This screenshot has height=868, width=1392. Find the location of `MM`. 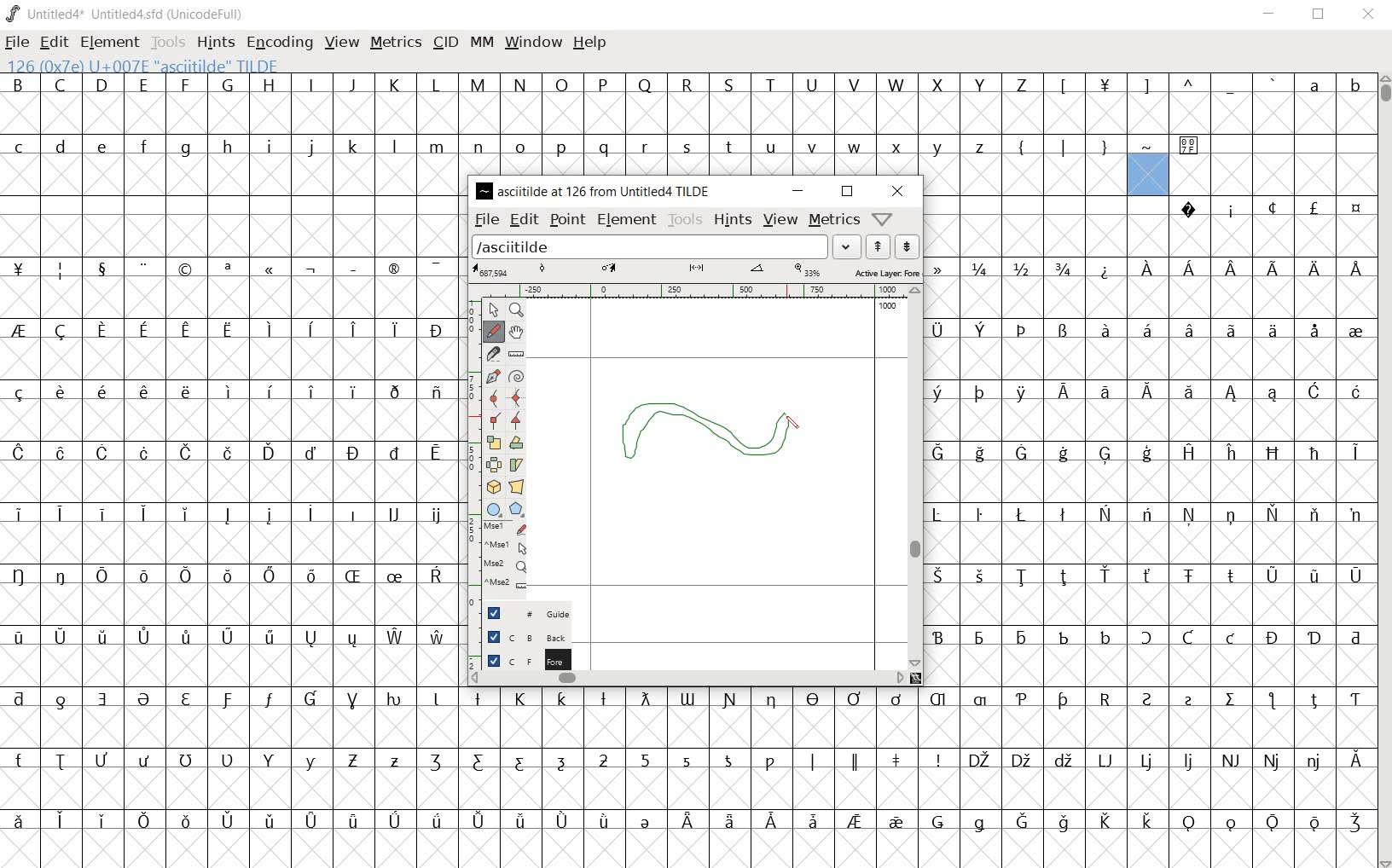

MM is located at coordinates (481, 45).